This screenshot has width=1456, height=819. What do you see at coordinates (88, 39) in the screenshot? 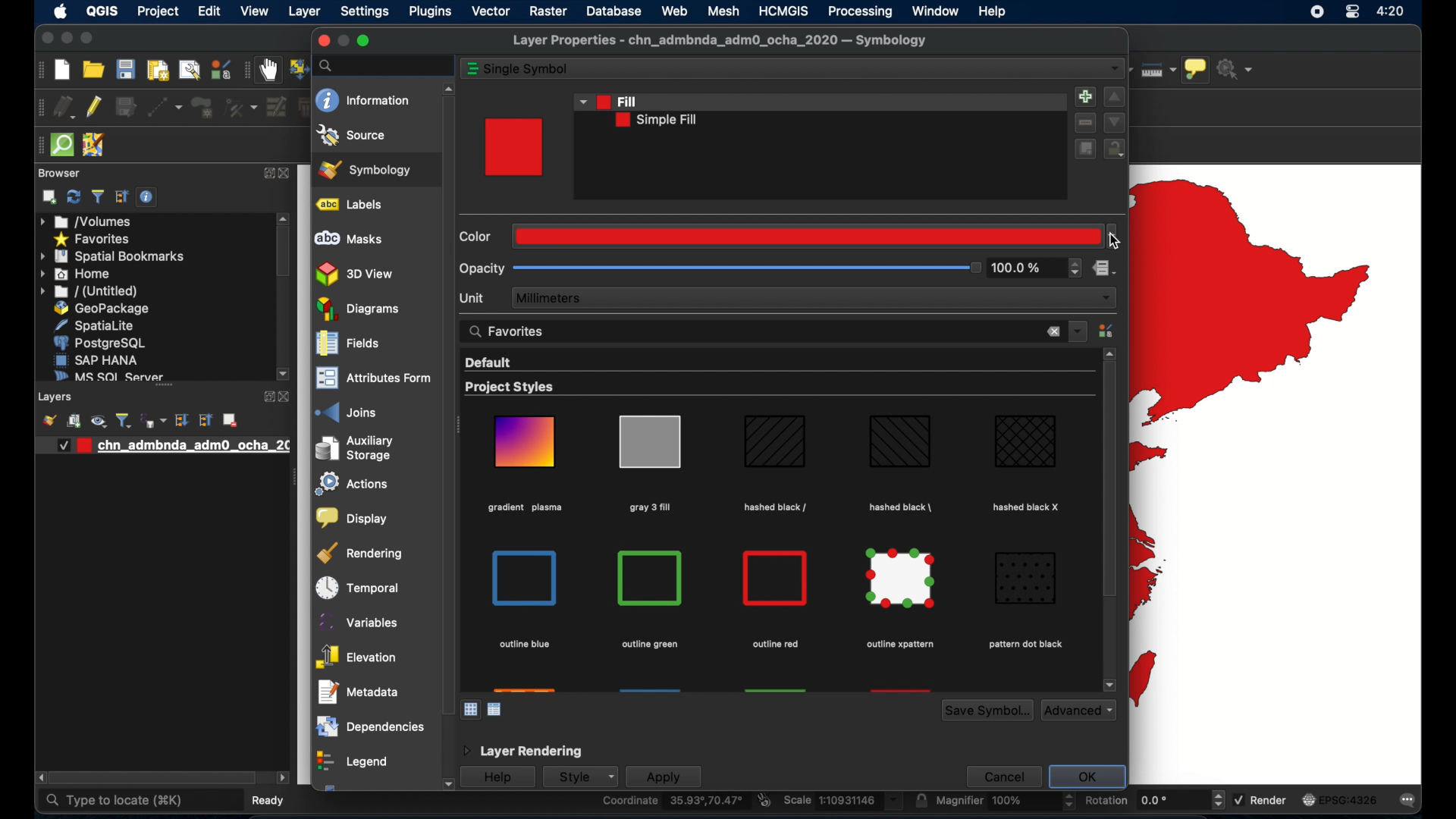
I see `maximizing` at bounding box center [88, 39].